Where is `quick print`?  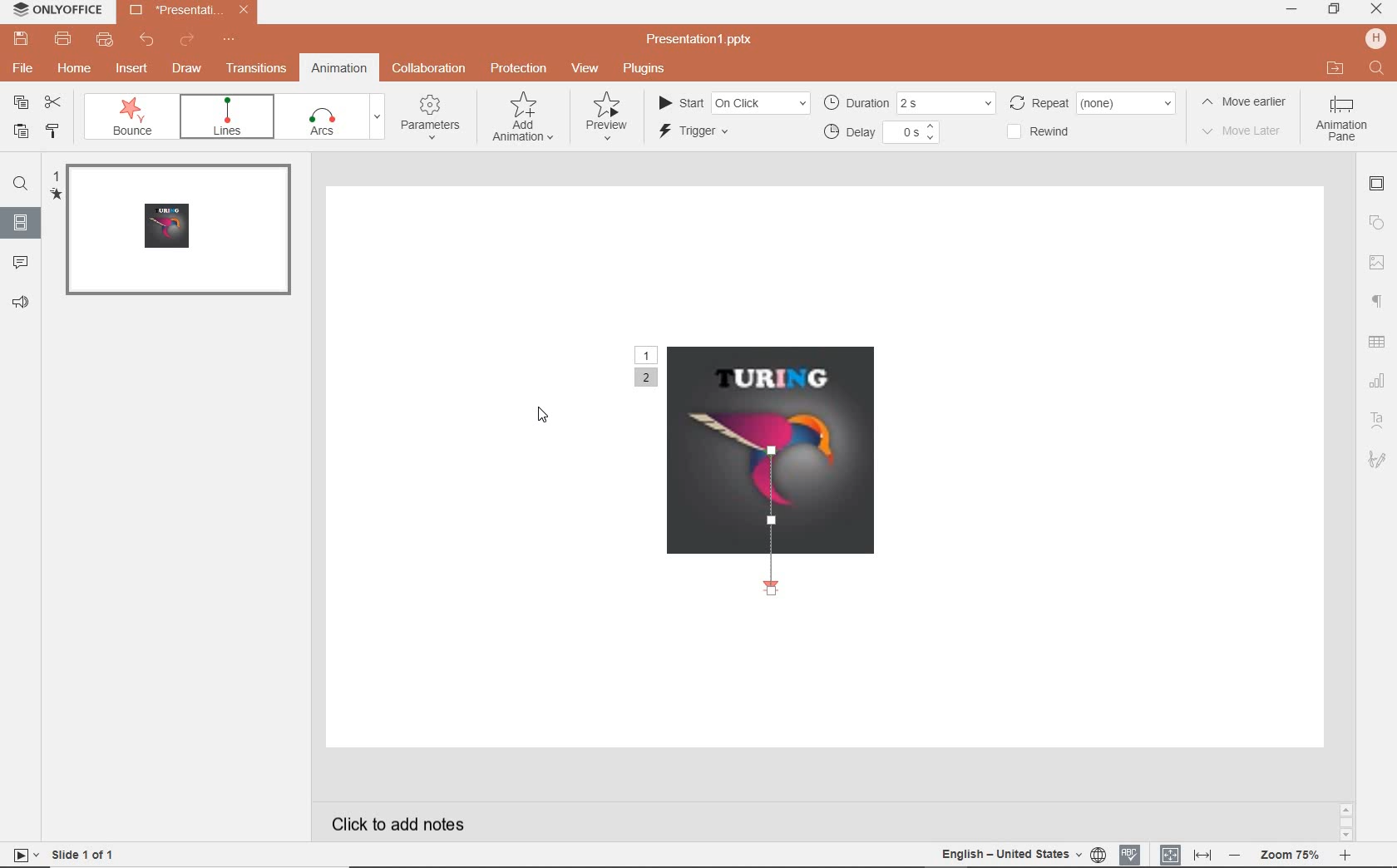
quick print is located at coordinates (104, 40).